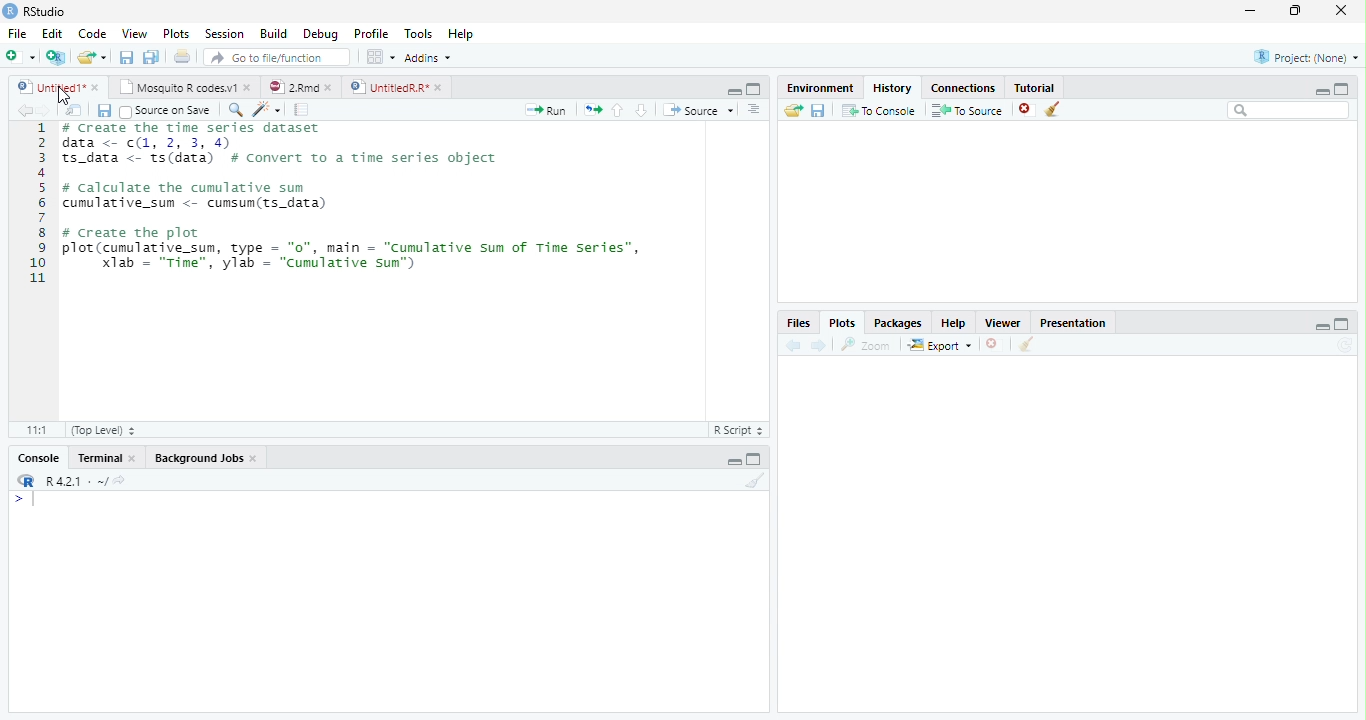  What do you see at coordinates (802, 323) in the screenshot?
I see `Files` at bounding box center [802, 323].